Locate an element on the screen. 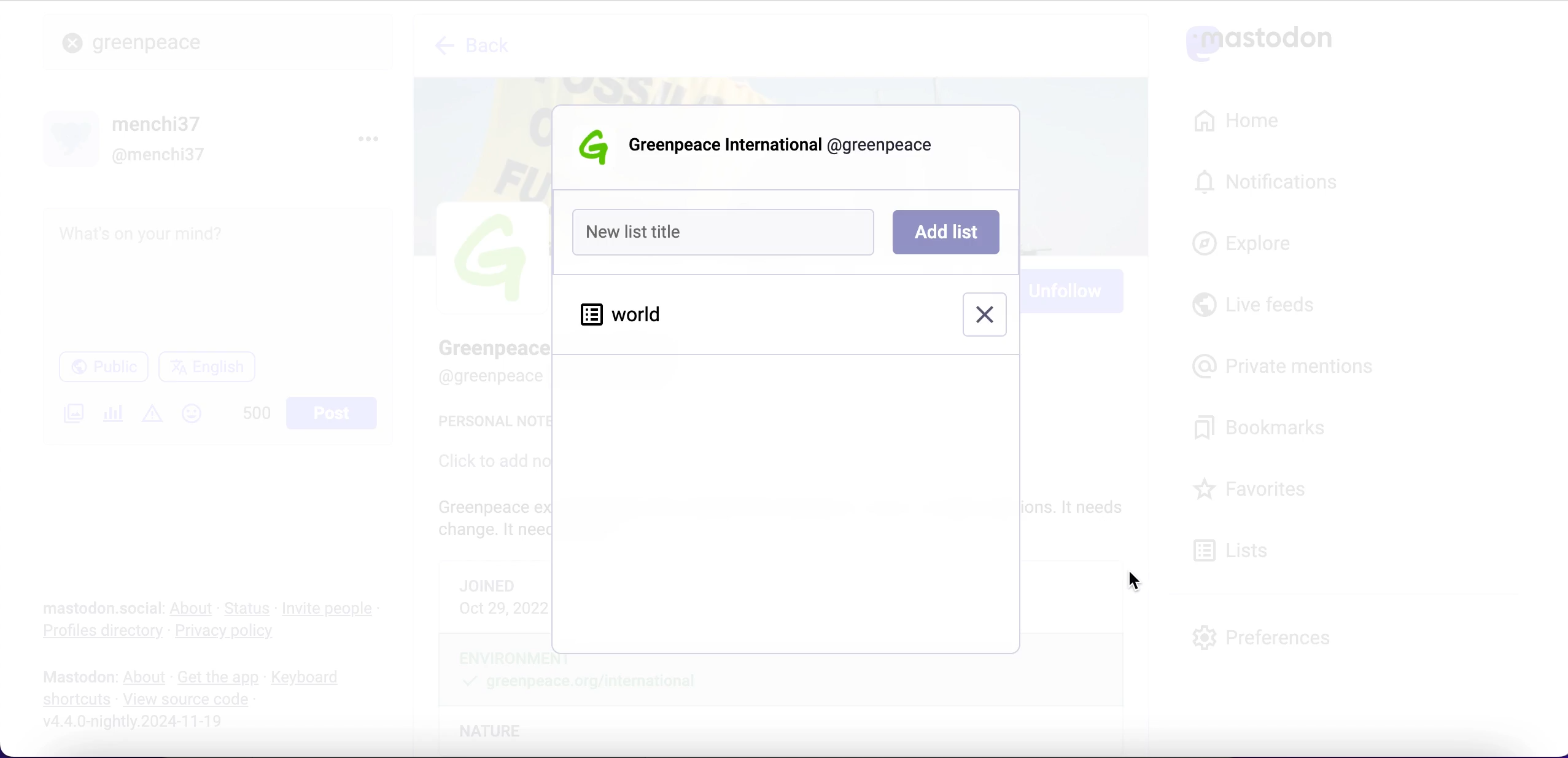 This screenshot has width=1568, height=758. keyboard is located at coordinates (309, 679).